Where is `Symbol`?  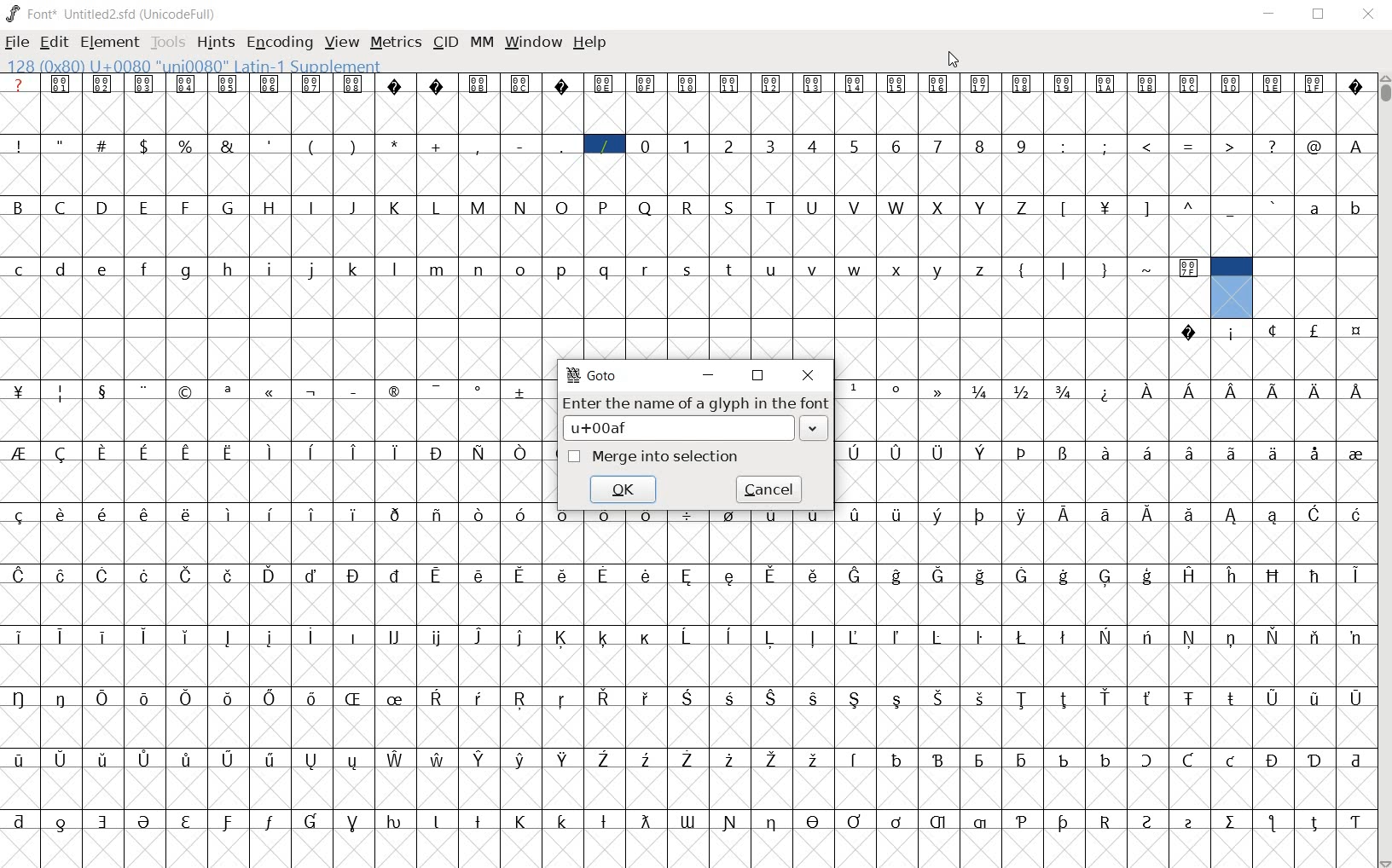 Symbol is located at coordinates (357, 697).